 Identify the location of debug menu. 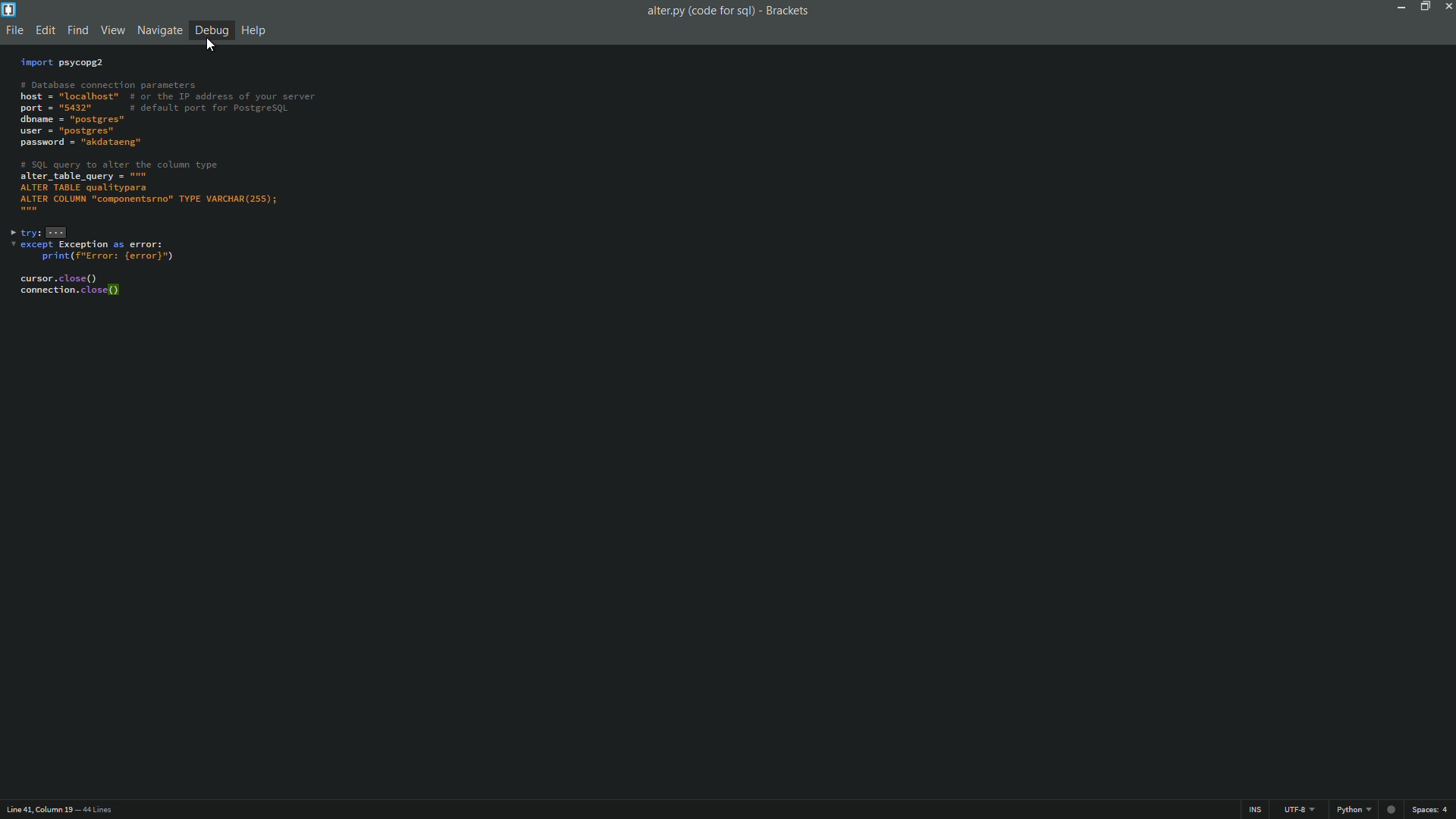
(209, 31).